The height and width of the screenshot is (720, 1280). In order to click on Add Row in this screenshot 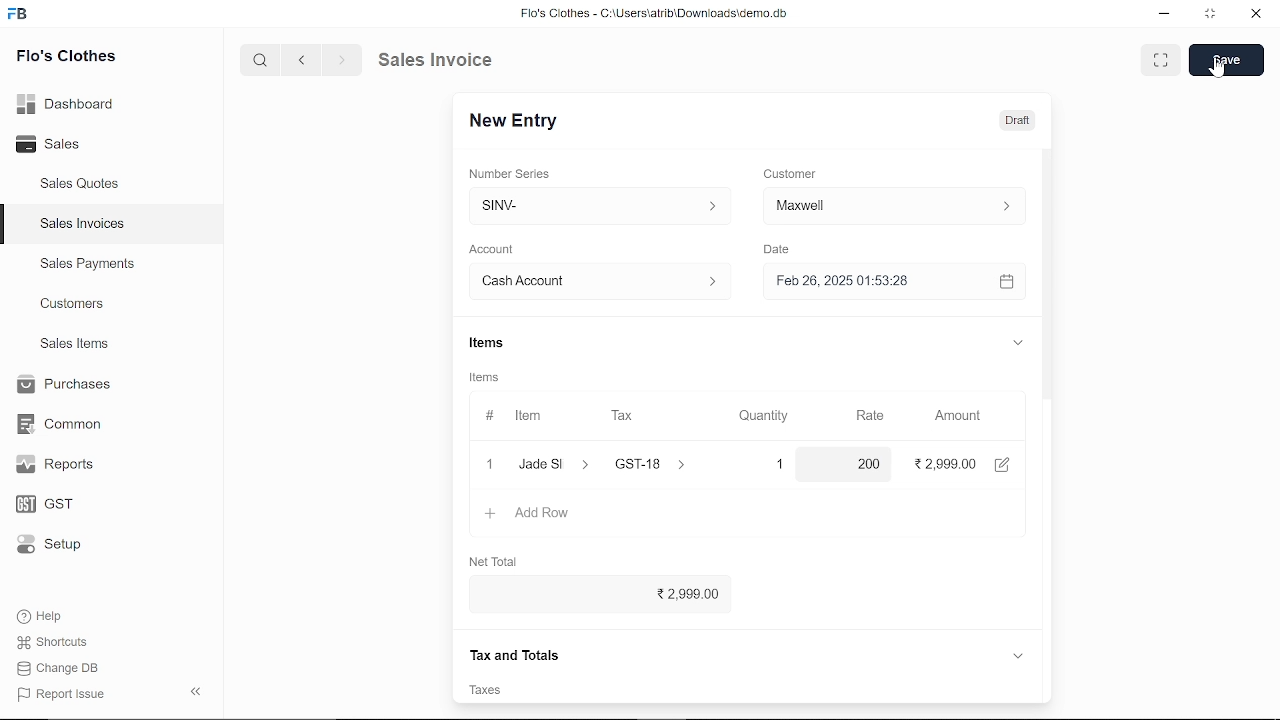, I will do `click(529, 514)`.